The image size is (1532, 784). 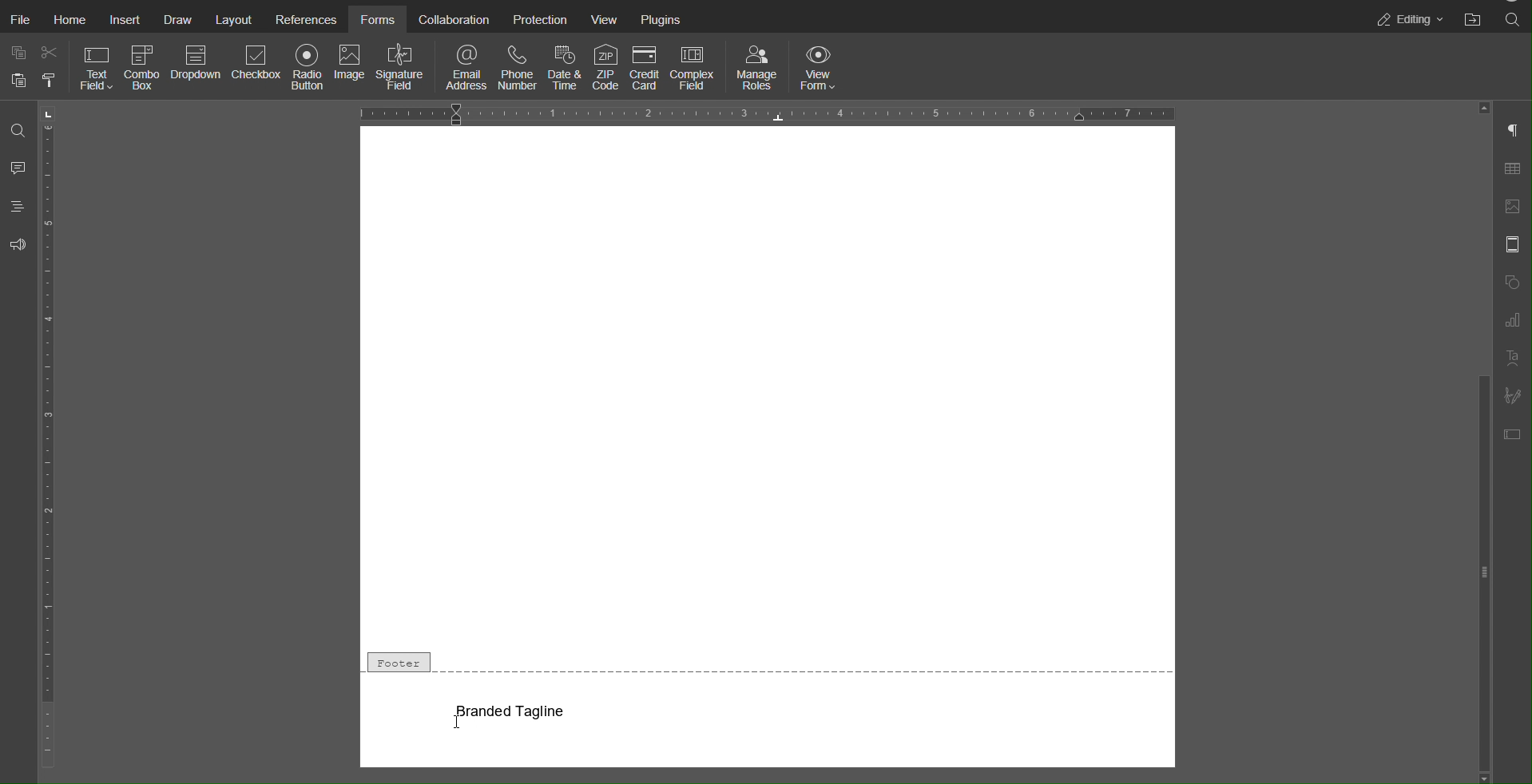 I want to click on References, so click(x=304, y=18).